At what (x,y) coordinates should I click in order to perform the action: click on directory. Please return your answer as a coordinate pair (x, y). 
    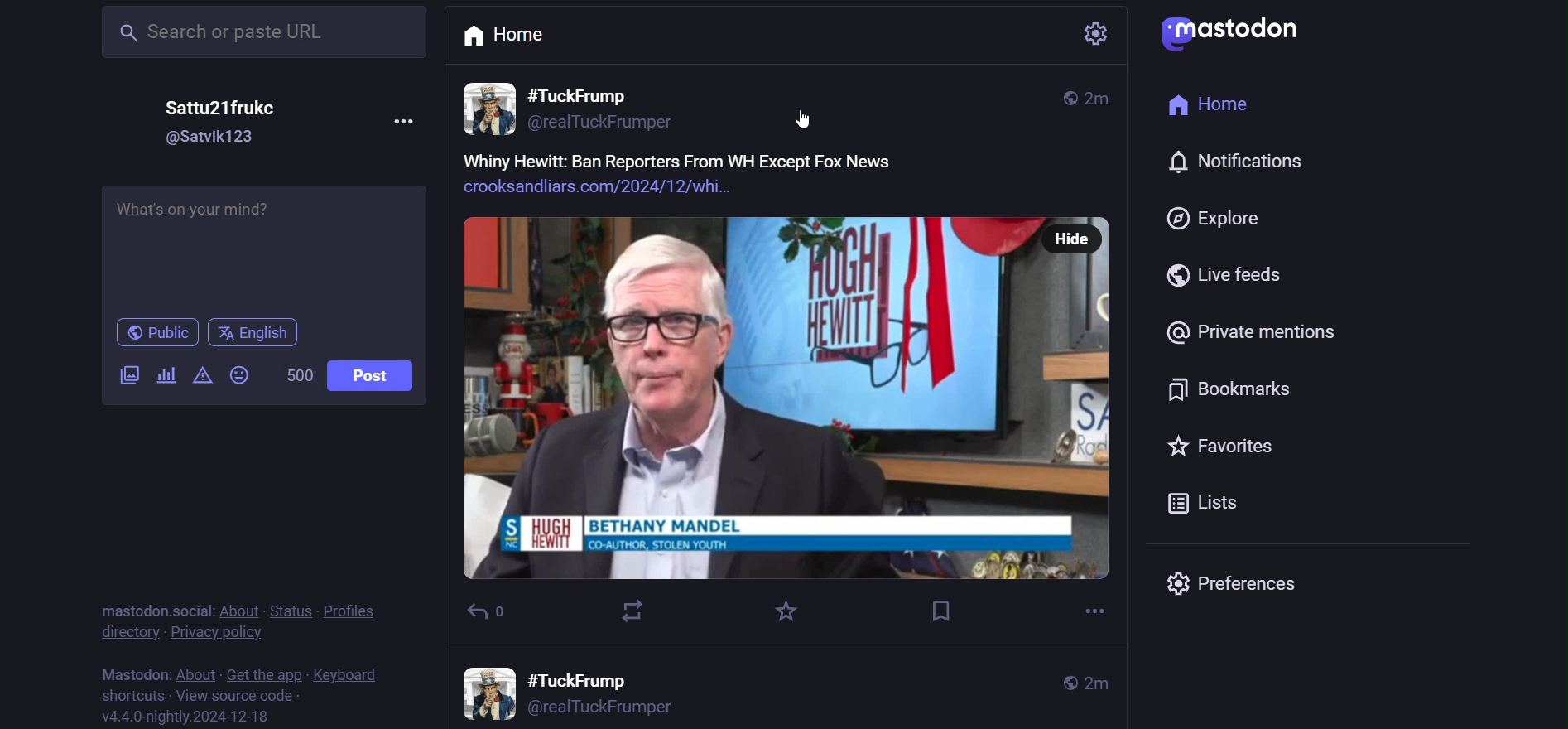
    Looking at the image, I should click on (128, 633).